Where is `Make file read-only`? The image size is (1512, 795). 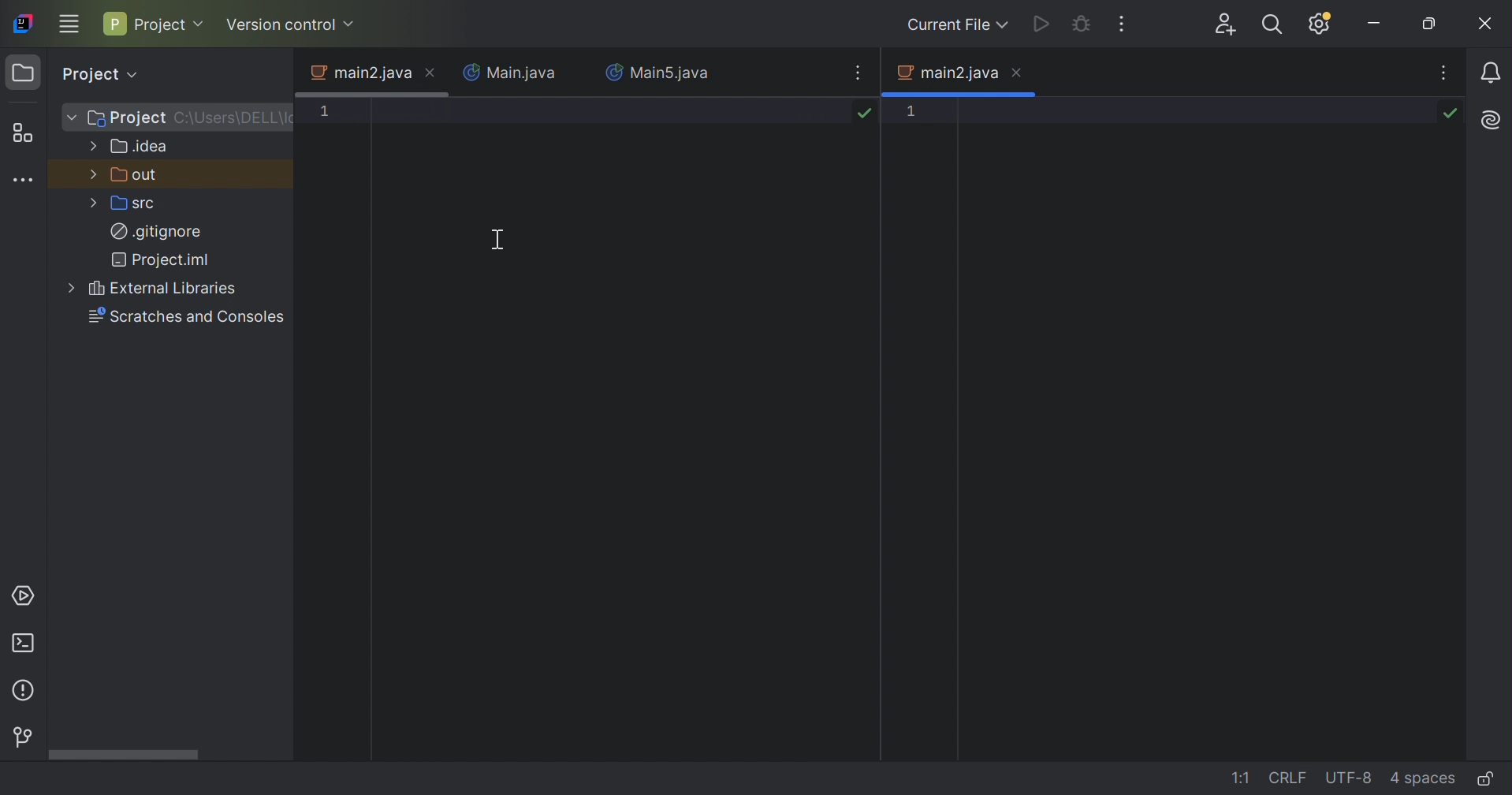
Make file read-only is located at coordinates (1484, 776).